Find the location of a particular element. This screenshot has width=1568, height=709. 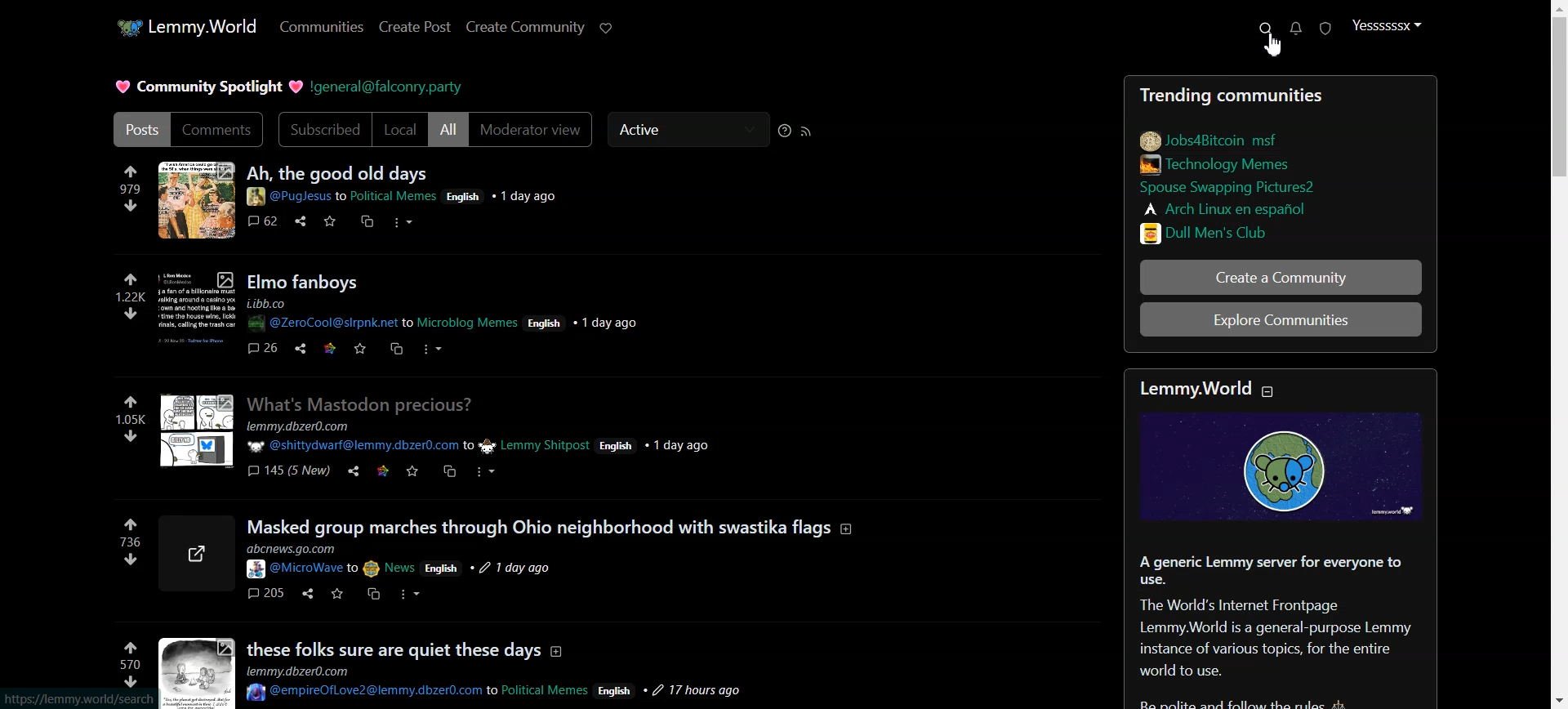

save is located at coordinates (413, 470).